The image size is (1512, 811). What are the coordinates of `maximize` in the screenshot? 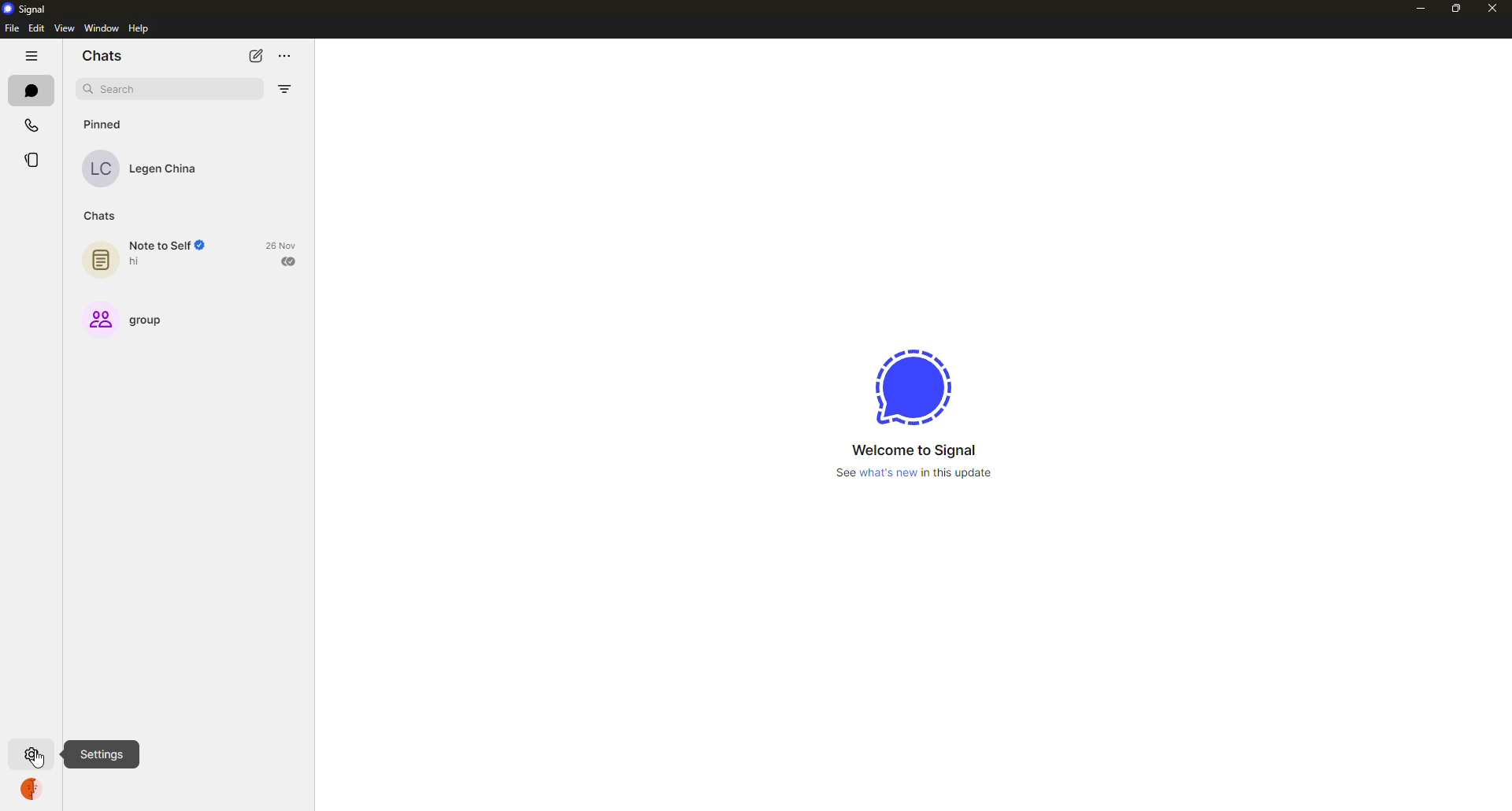 It's located at (1451, 9).